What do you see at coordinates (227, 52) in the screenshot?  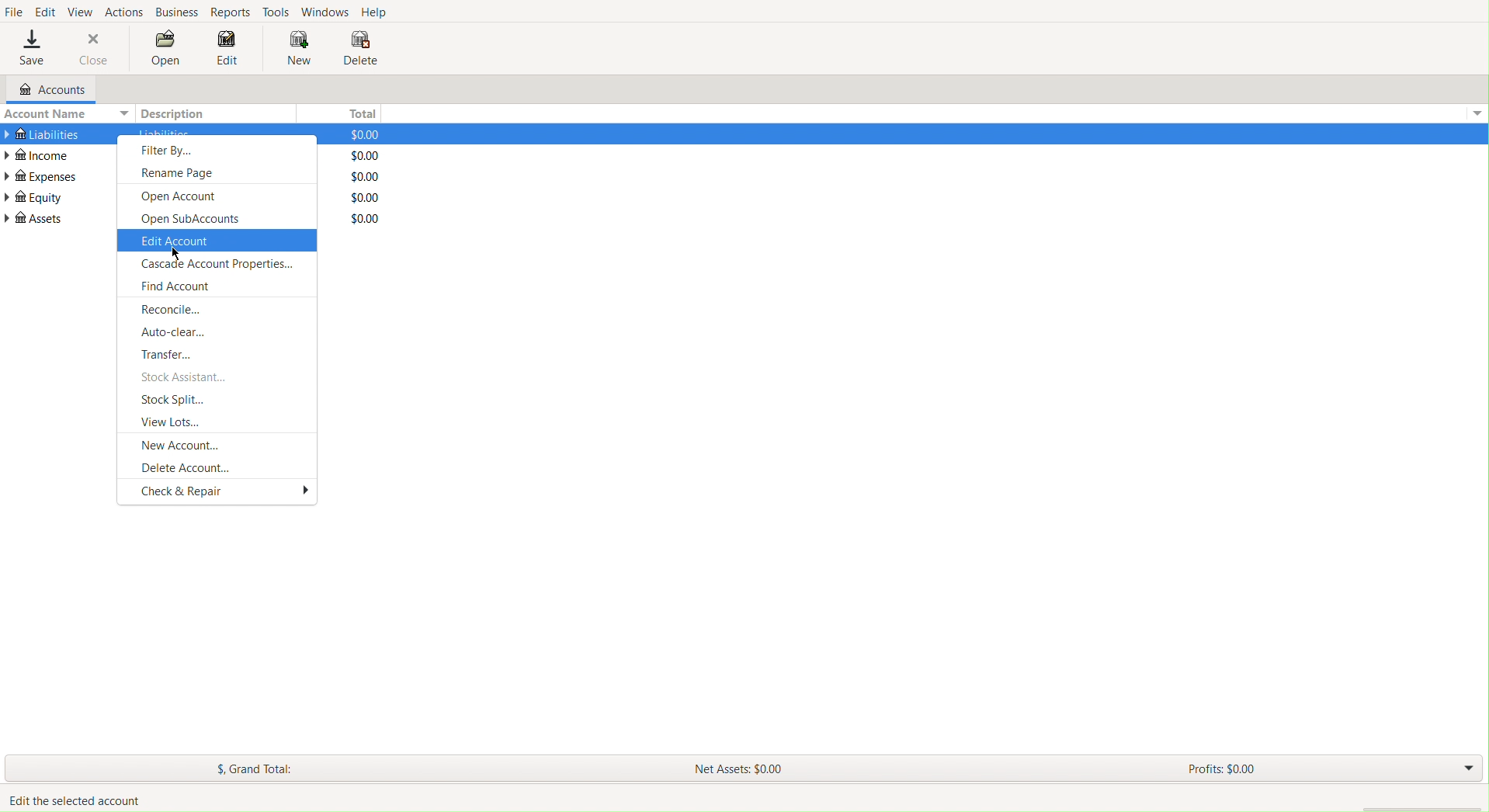 I see `Edit` at bounding box center [227, 52].